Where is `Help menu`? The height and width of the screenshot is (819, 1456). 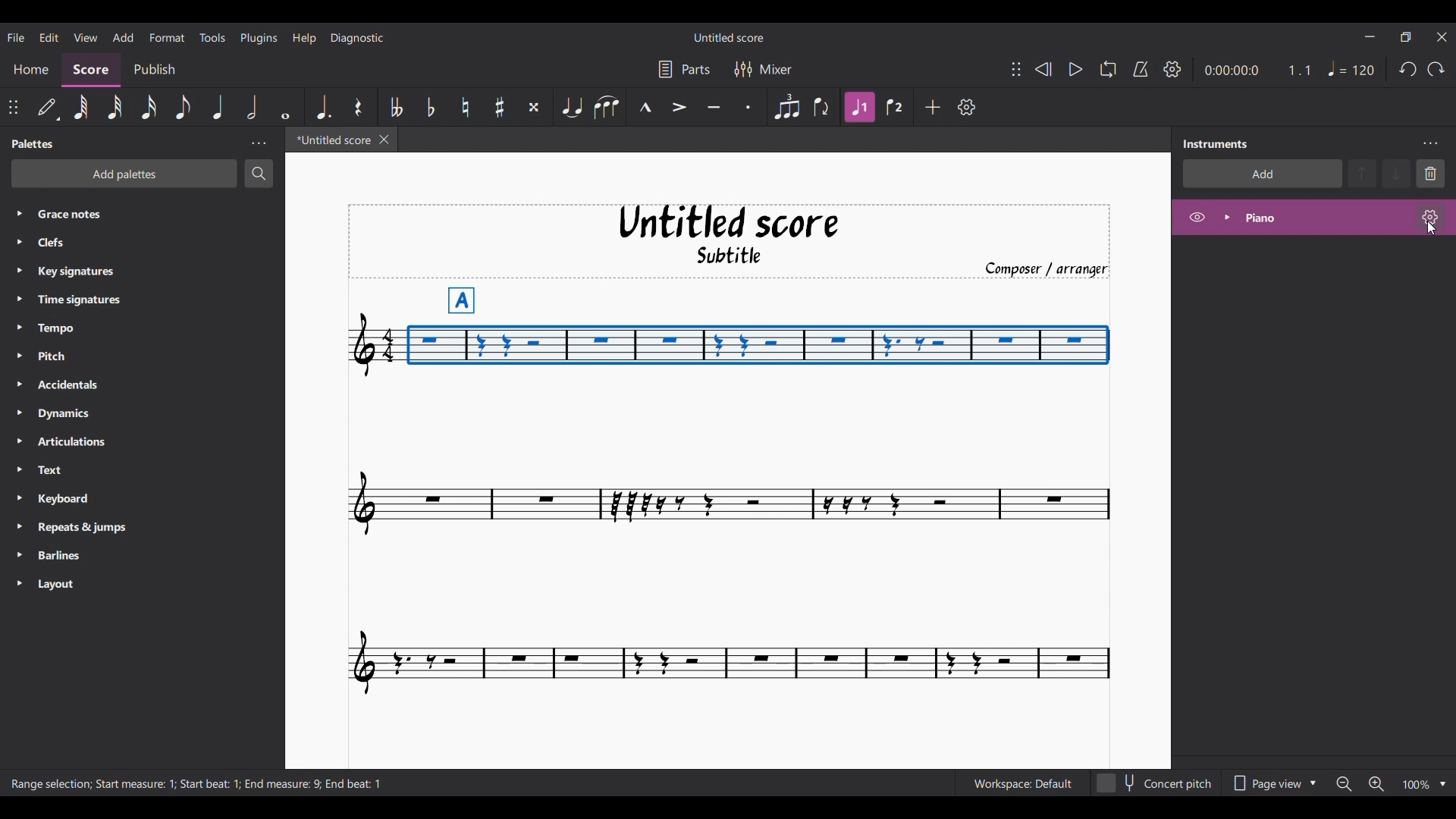
Help menu is located at coordinates (306, 38).